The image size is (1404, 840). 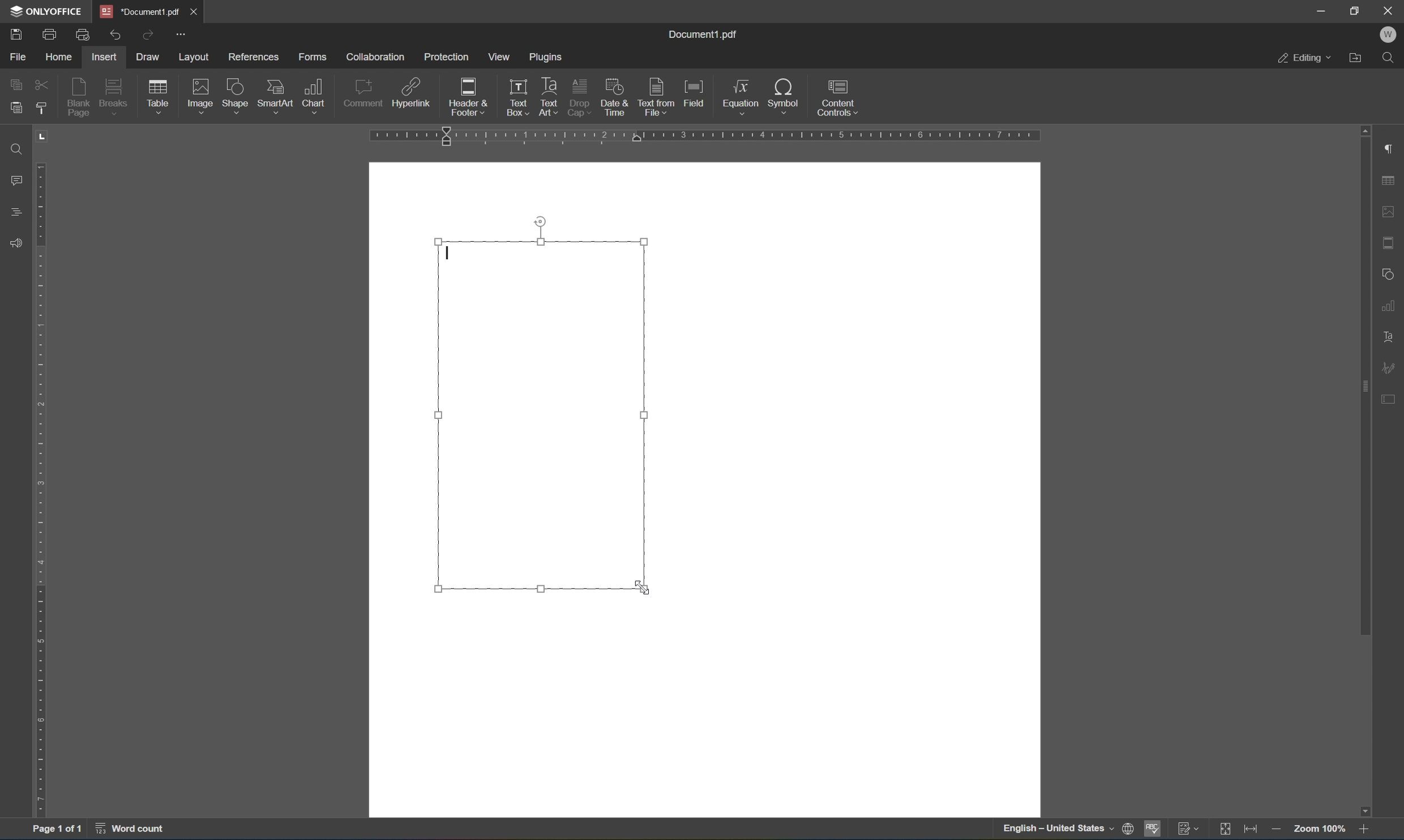 I want to click on comment, so click(x=363, y=96).